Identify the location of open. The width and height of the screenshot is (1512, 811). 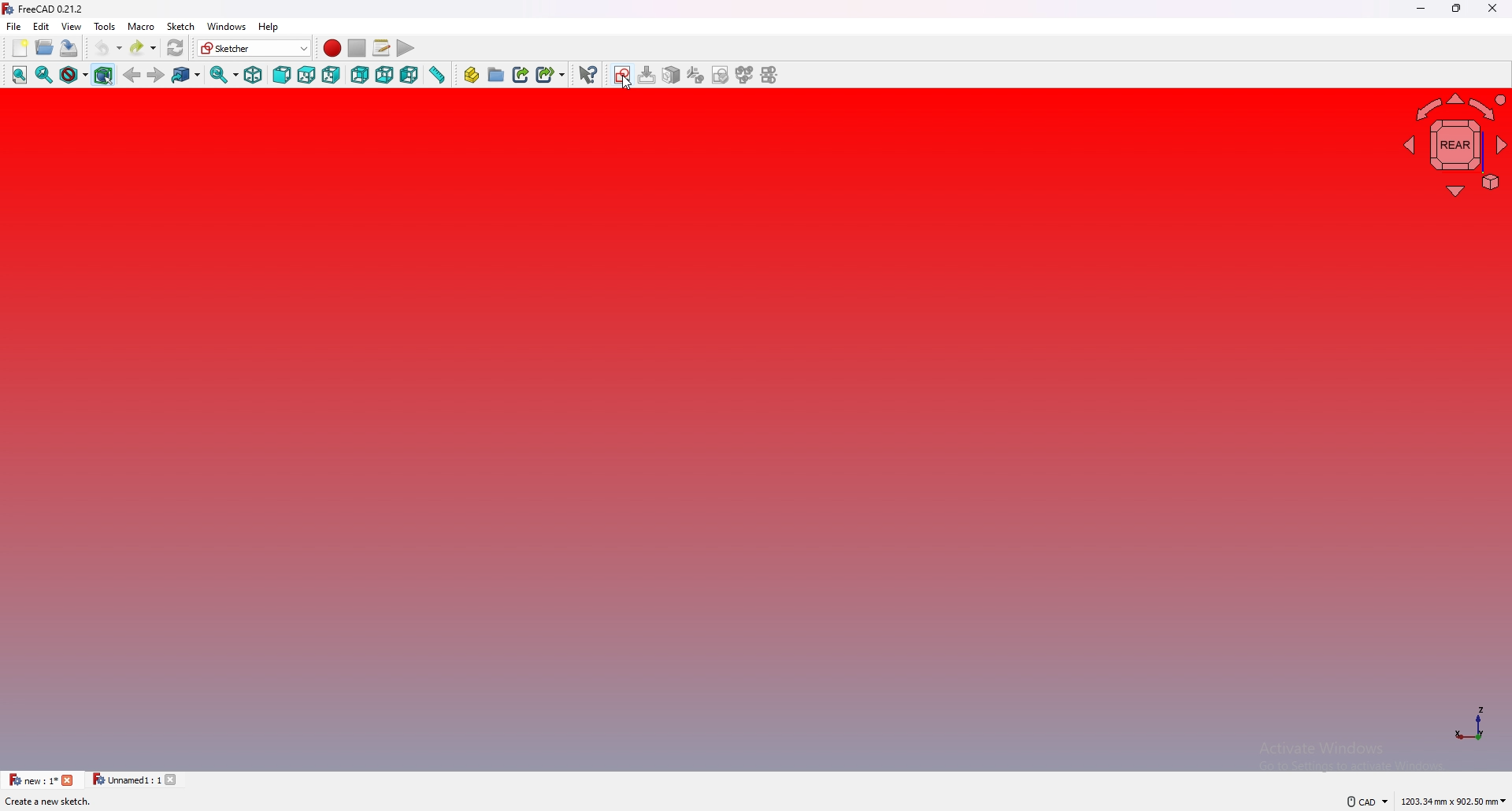
(45, 47).